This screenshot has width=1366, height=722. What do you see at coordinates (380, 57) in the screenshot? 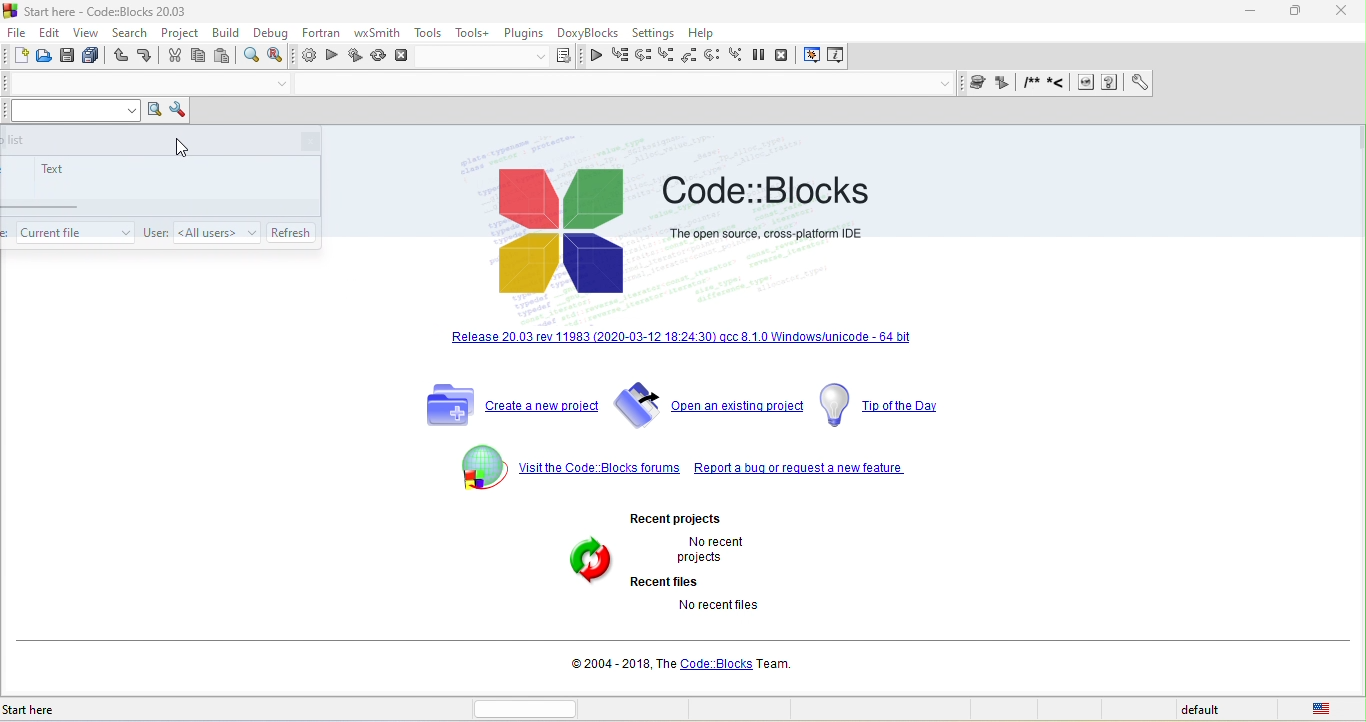
I see `rebuild ` at bounding box center [380, 57].